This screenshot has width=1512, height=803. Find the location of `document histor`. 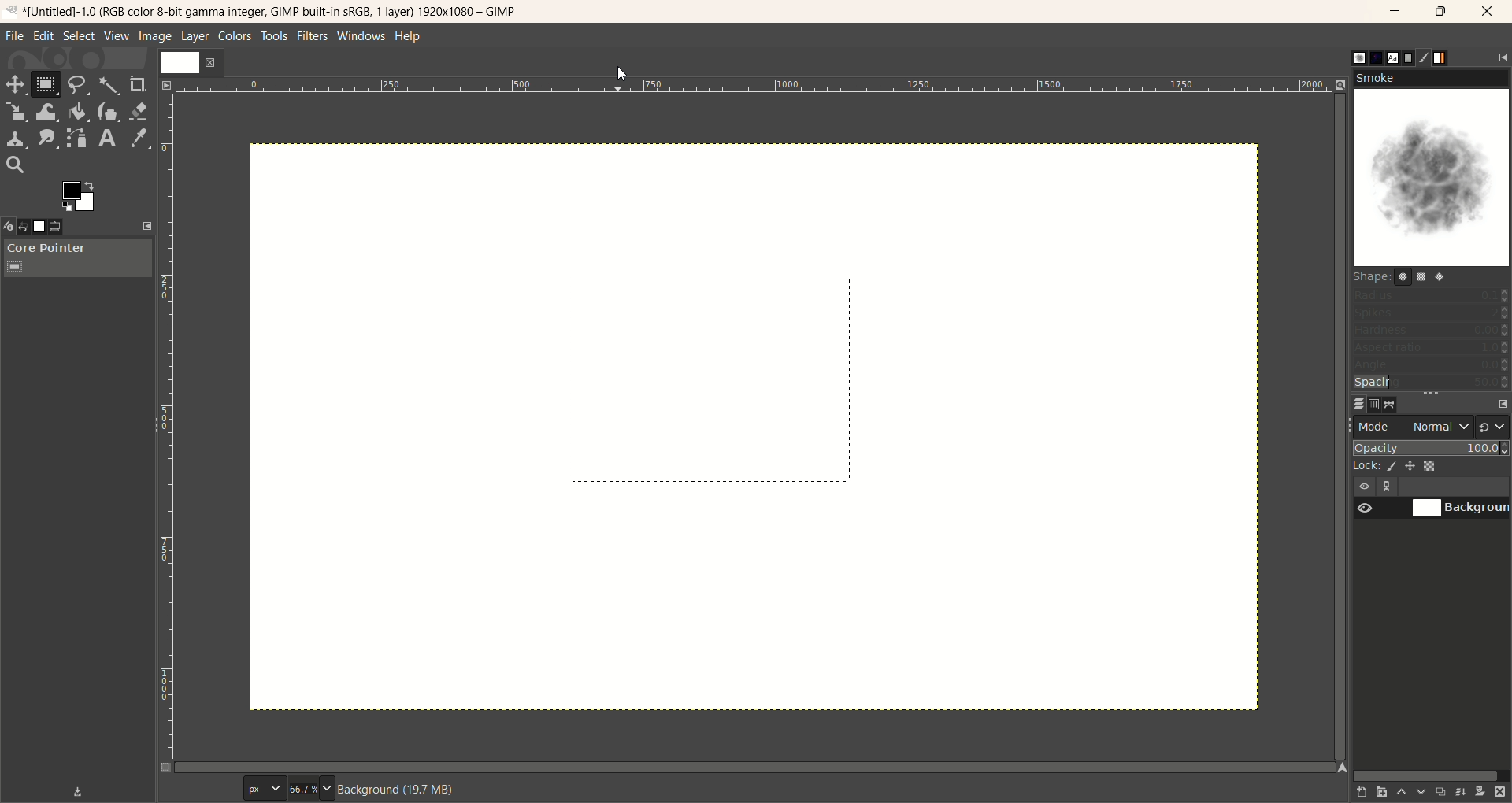

document histor is located at coordinates (1405, 57).